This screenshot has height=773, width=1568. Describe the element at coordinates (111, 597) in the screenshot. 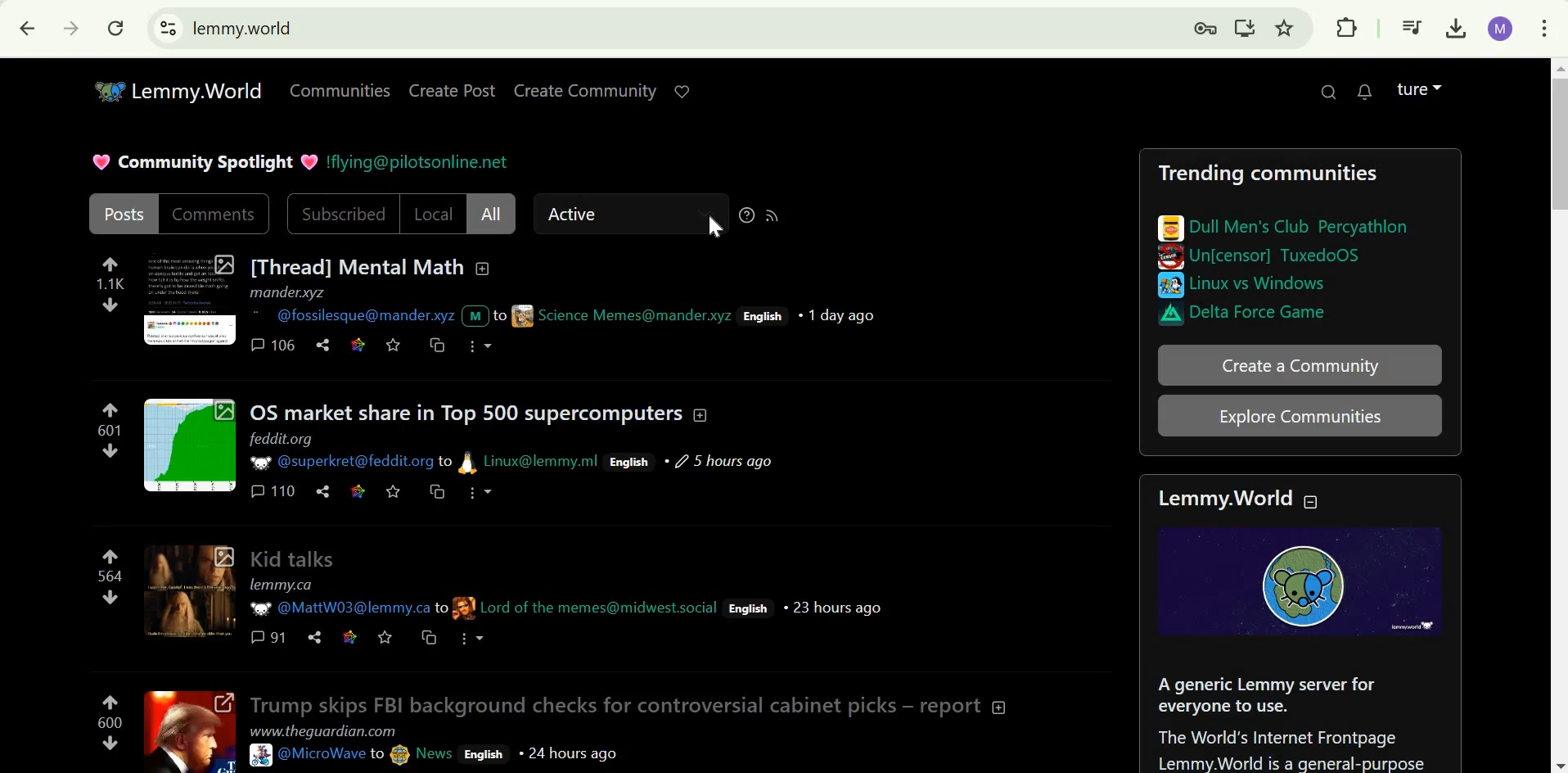

I see `downvote` at that location.